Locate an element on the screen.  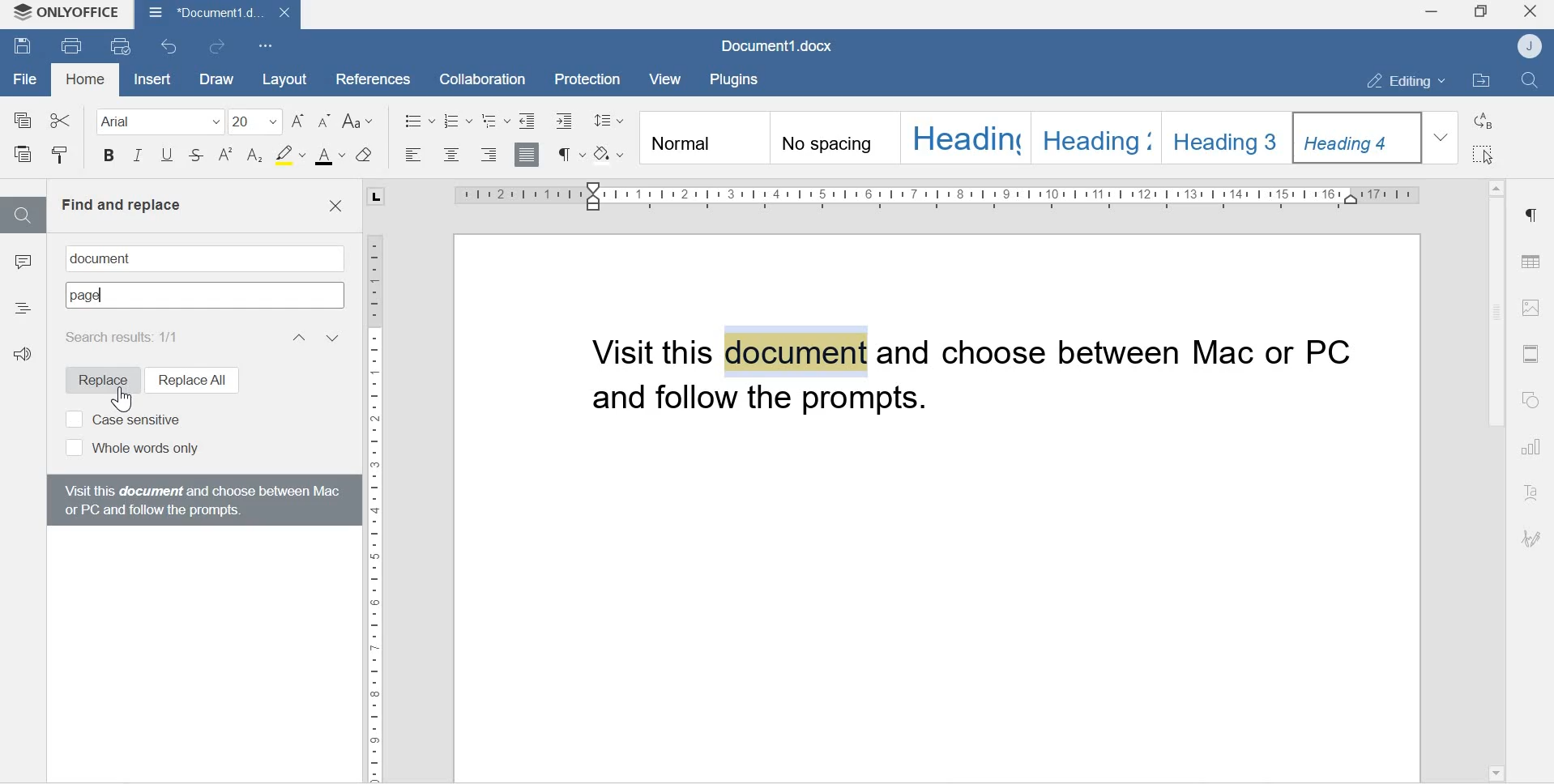
and choose between MAC or PC is located at coordinates (1127, 354).